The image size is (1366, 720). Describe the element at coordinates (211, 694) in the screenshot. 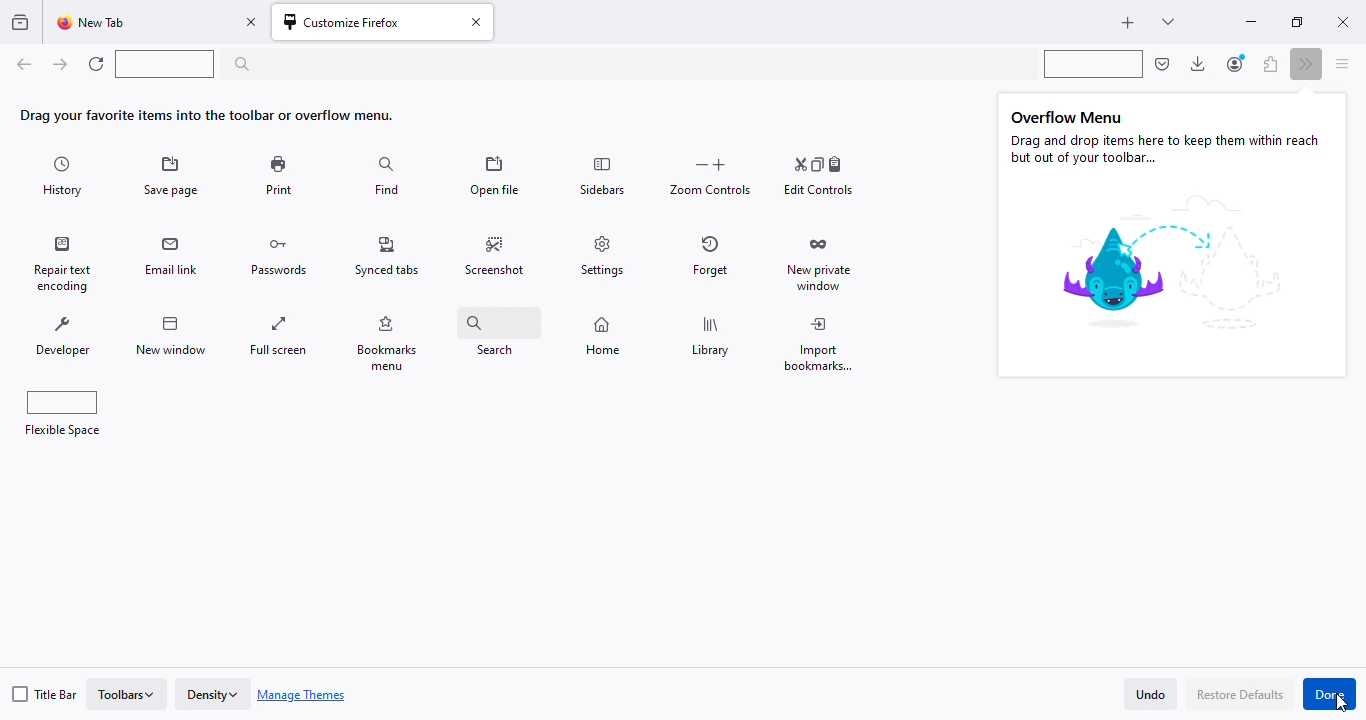

I see `density` at that location.